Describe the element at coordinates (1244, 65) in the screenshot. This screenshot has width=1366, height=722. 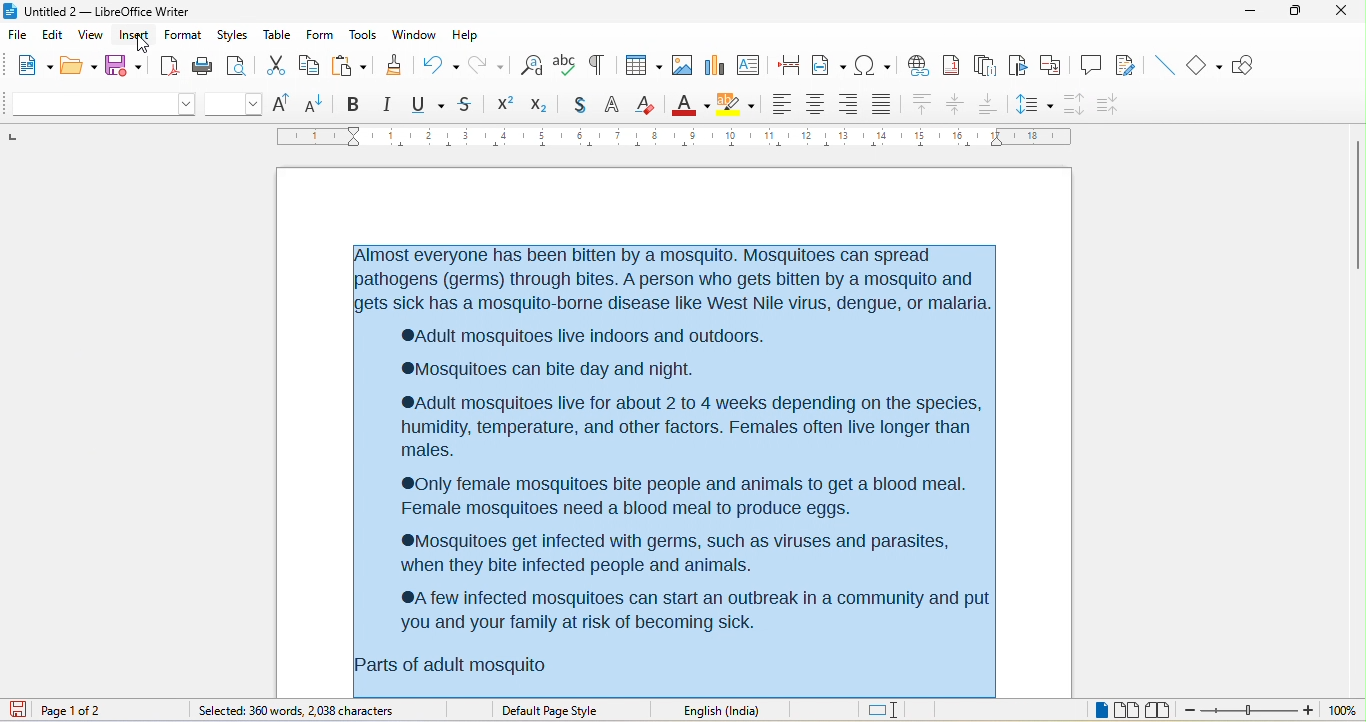
I see `show draw function` at that location.